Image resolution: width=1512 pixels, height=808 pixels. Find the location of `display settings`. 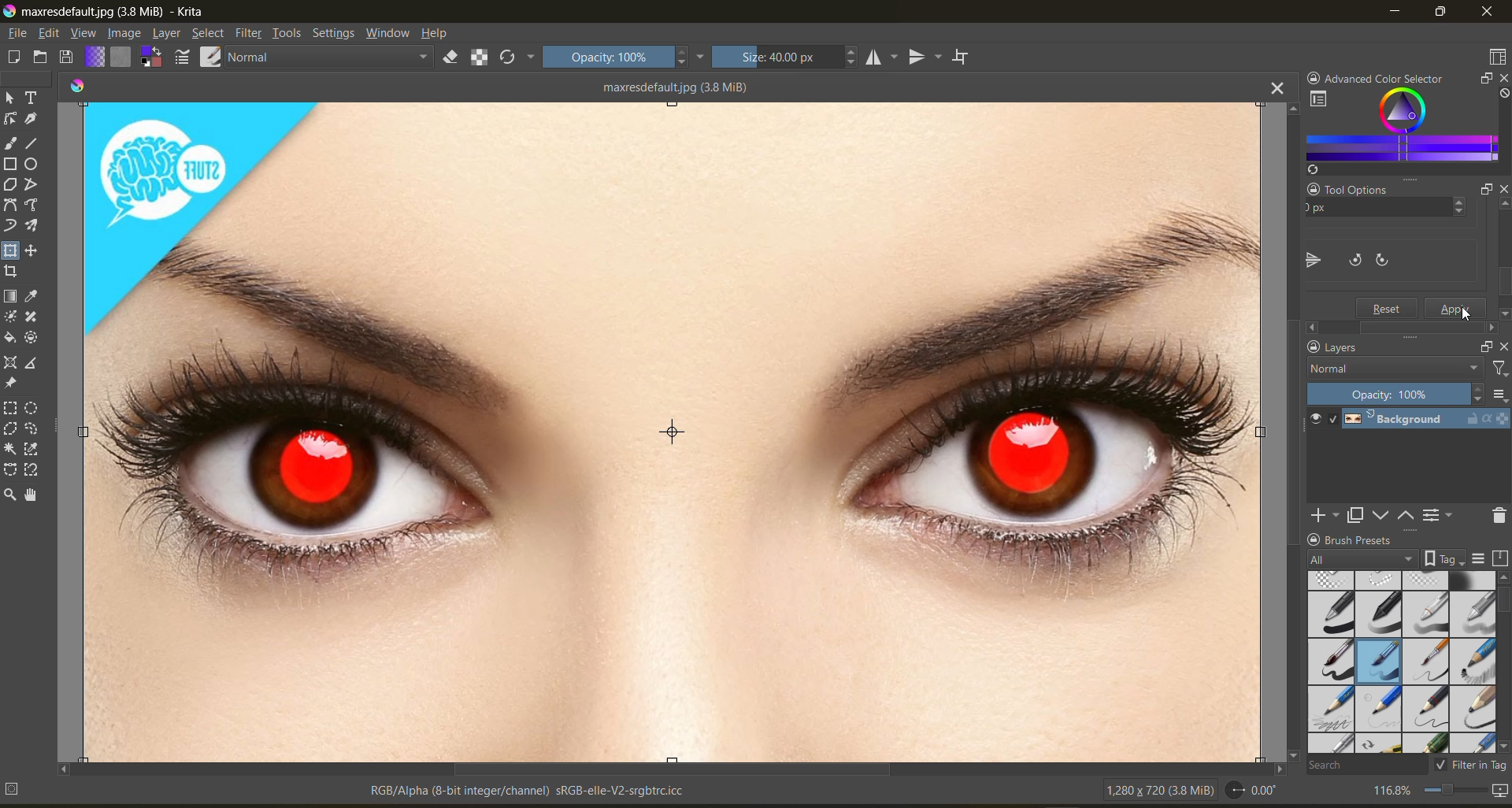

display settings is located at coordinates (1480, 557).